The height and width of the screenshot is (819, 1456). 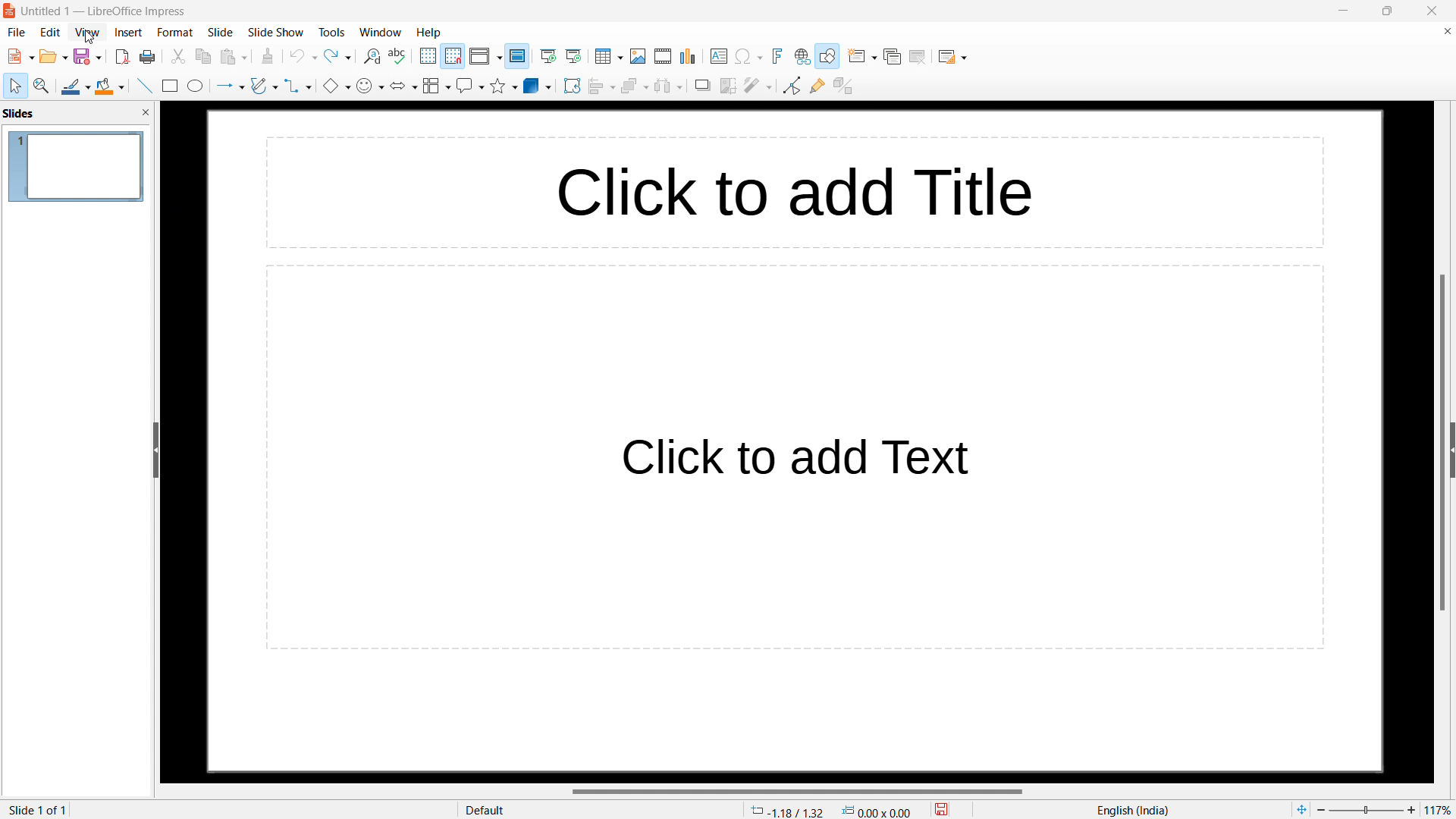 What do you see at coordinates (149, 58) in the screenshot?
I see `save` at bounding box center [149, 58].